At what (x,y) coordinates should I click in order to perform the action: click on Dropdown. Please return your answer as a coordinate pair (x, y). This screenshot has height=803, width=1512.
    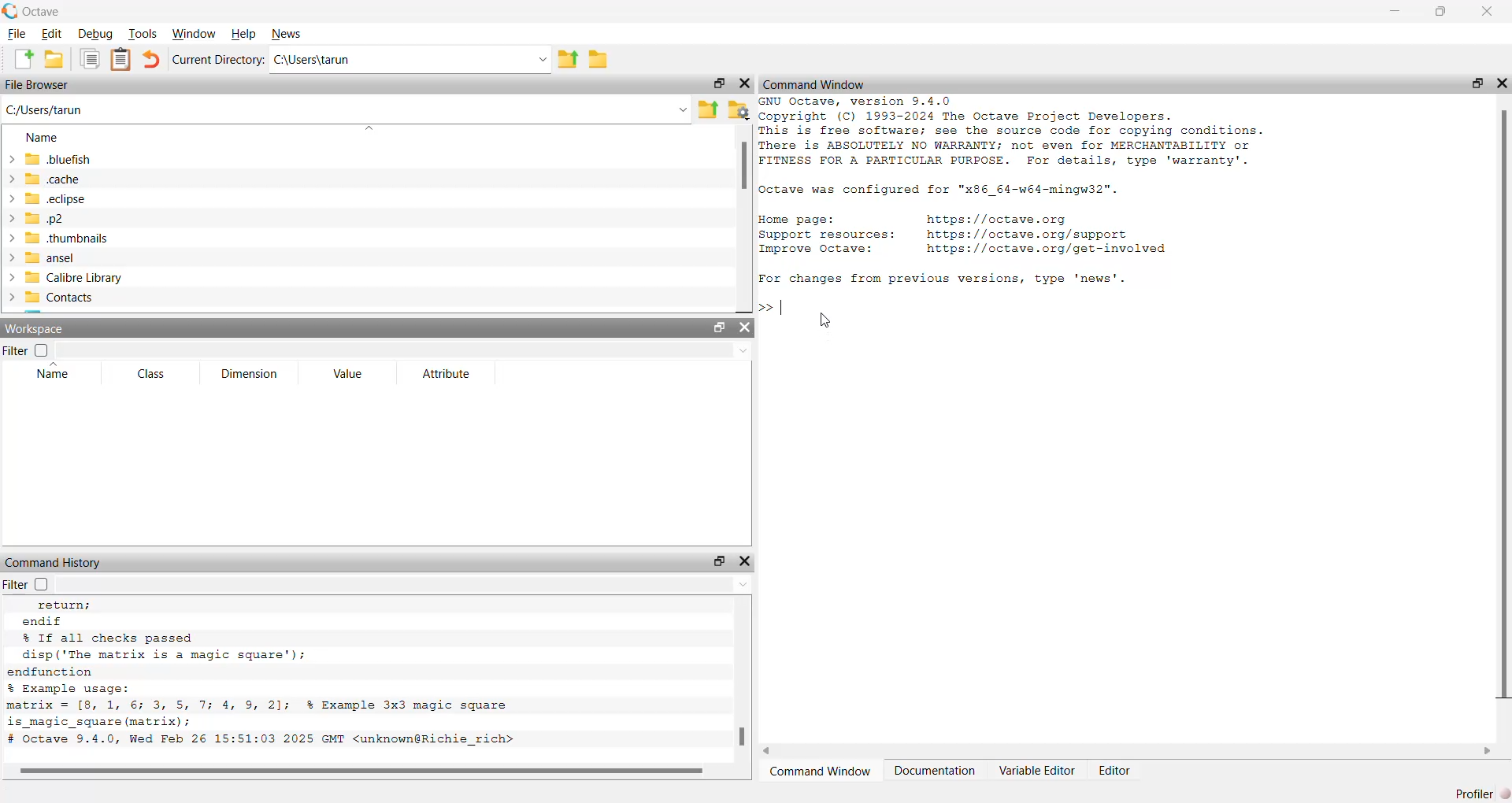
    Looking at the image, I should click on (367, 129).